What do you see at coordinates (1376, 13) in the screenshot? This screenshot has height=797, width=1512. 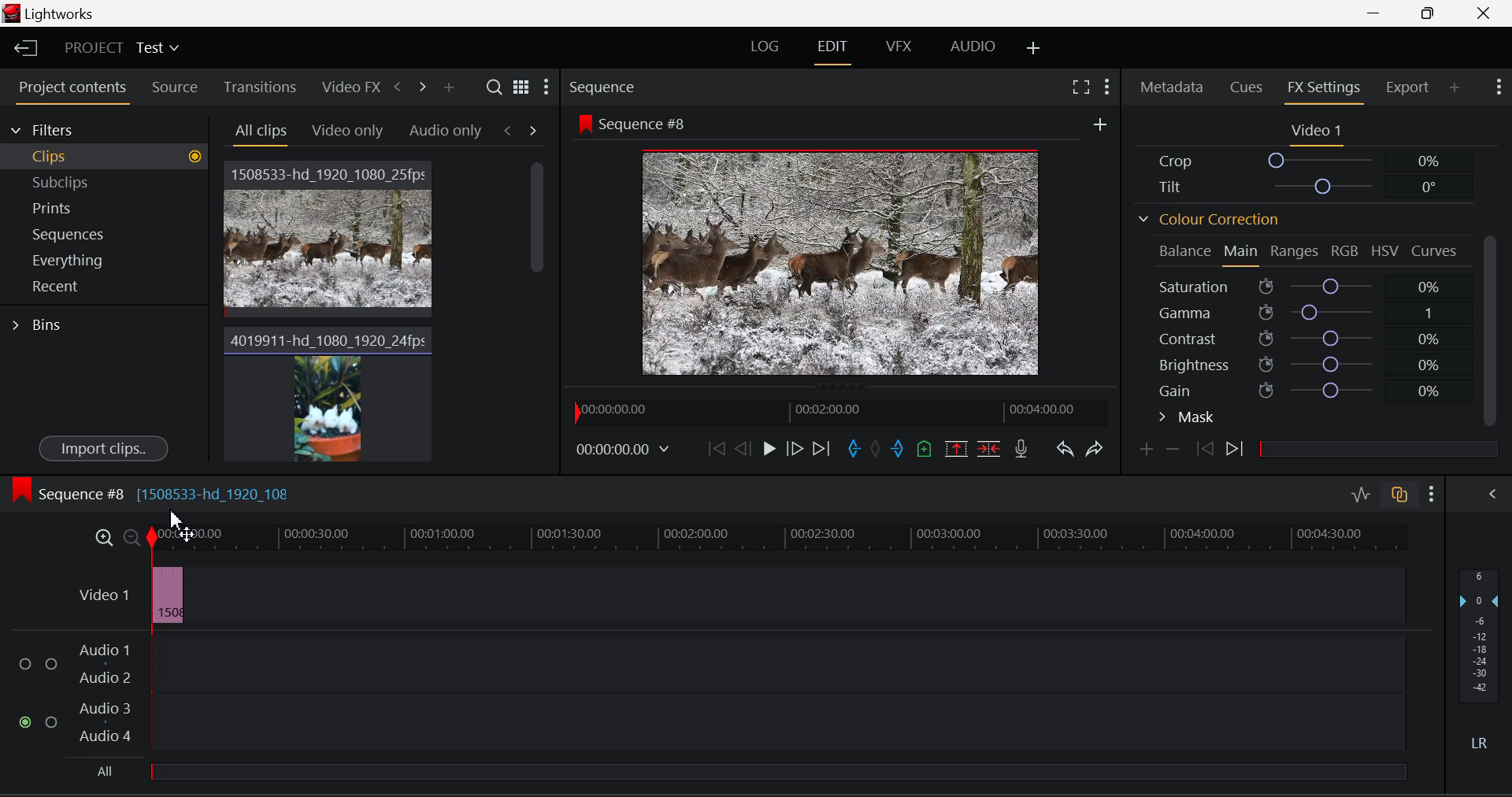 I see `Restore Down` at bounding box center [1376, 13].